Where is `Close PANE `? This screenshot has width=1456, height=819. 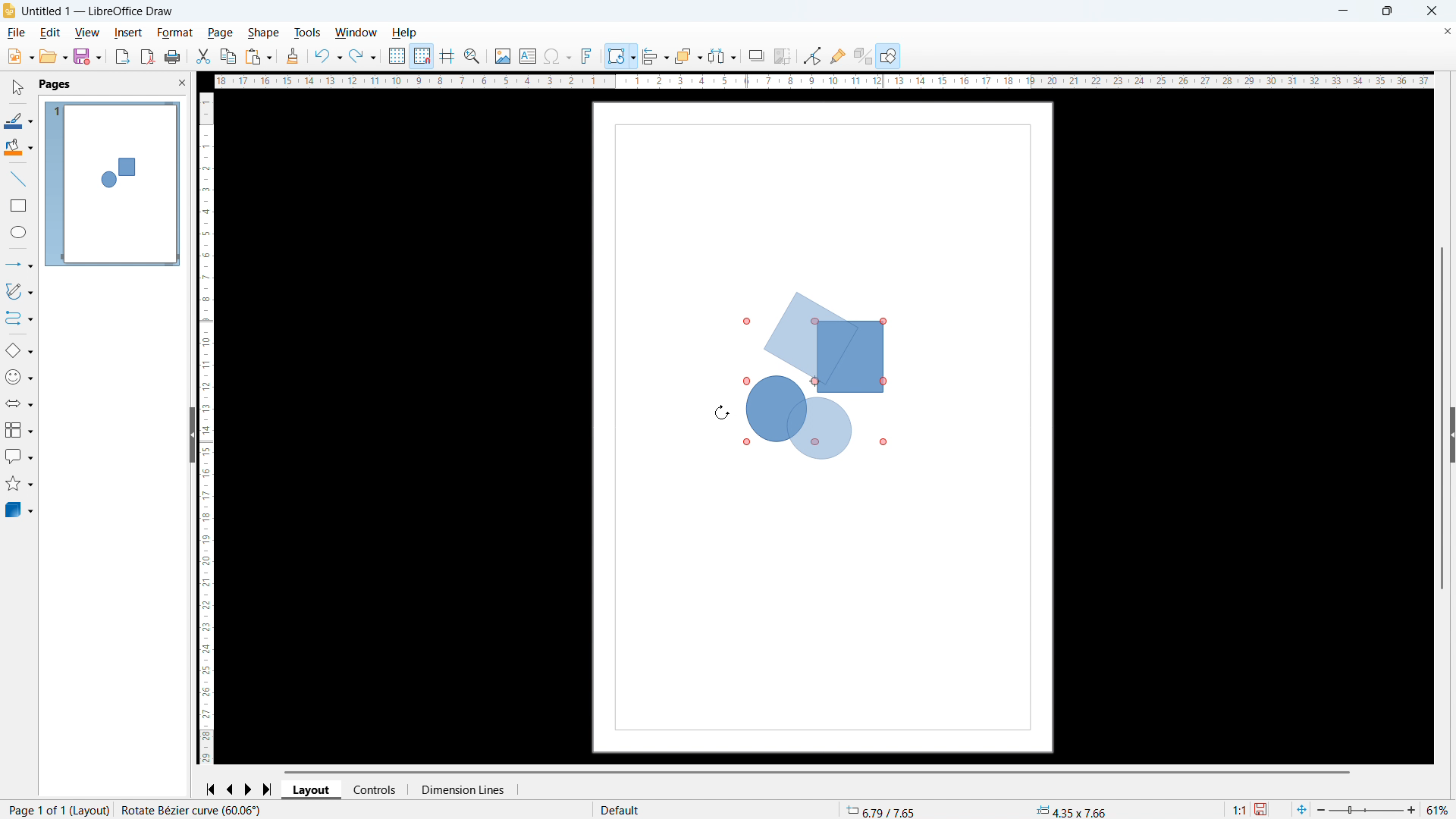 Close PANE  is located at coordinates (182, 82).